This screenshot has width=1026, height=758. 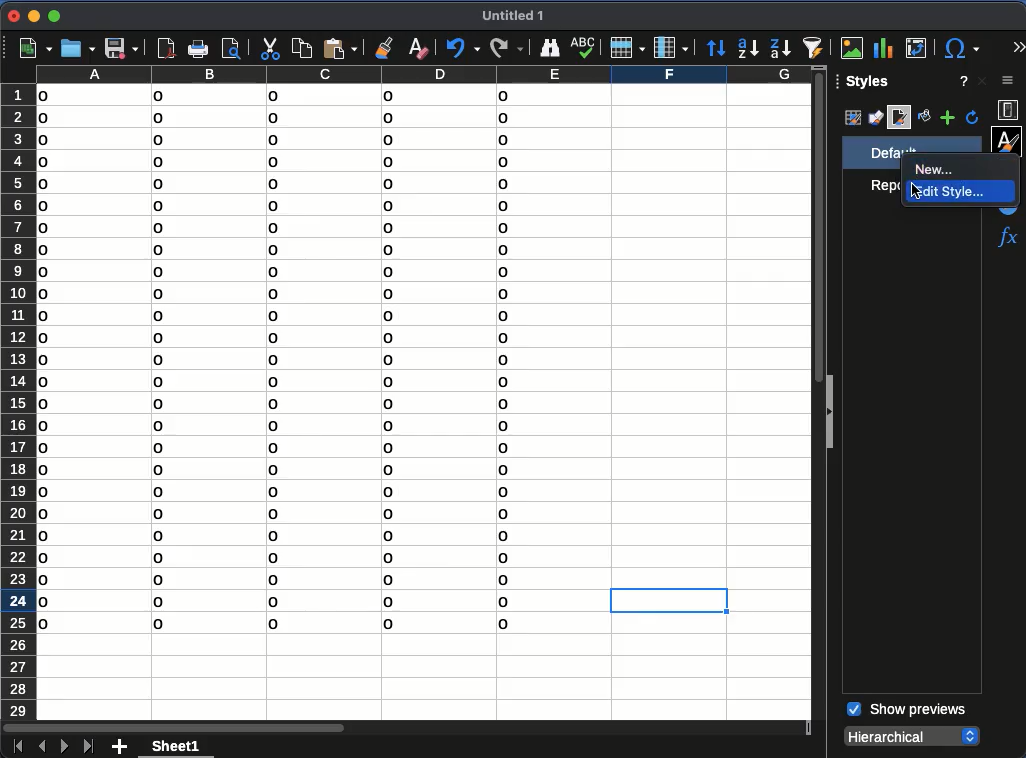 What do you see at coordinates (88, 745) in the screenshot?
I see `last sheet` at bounding box center [88, 745].